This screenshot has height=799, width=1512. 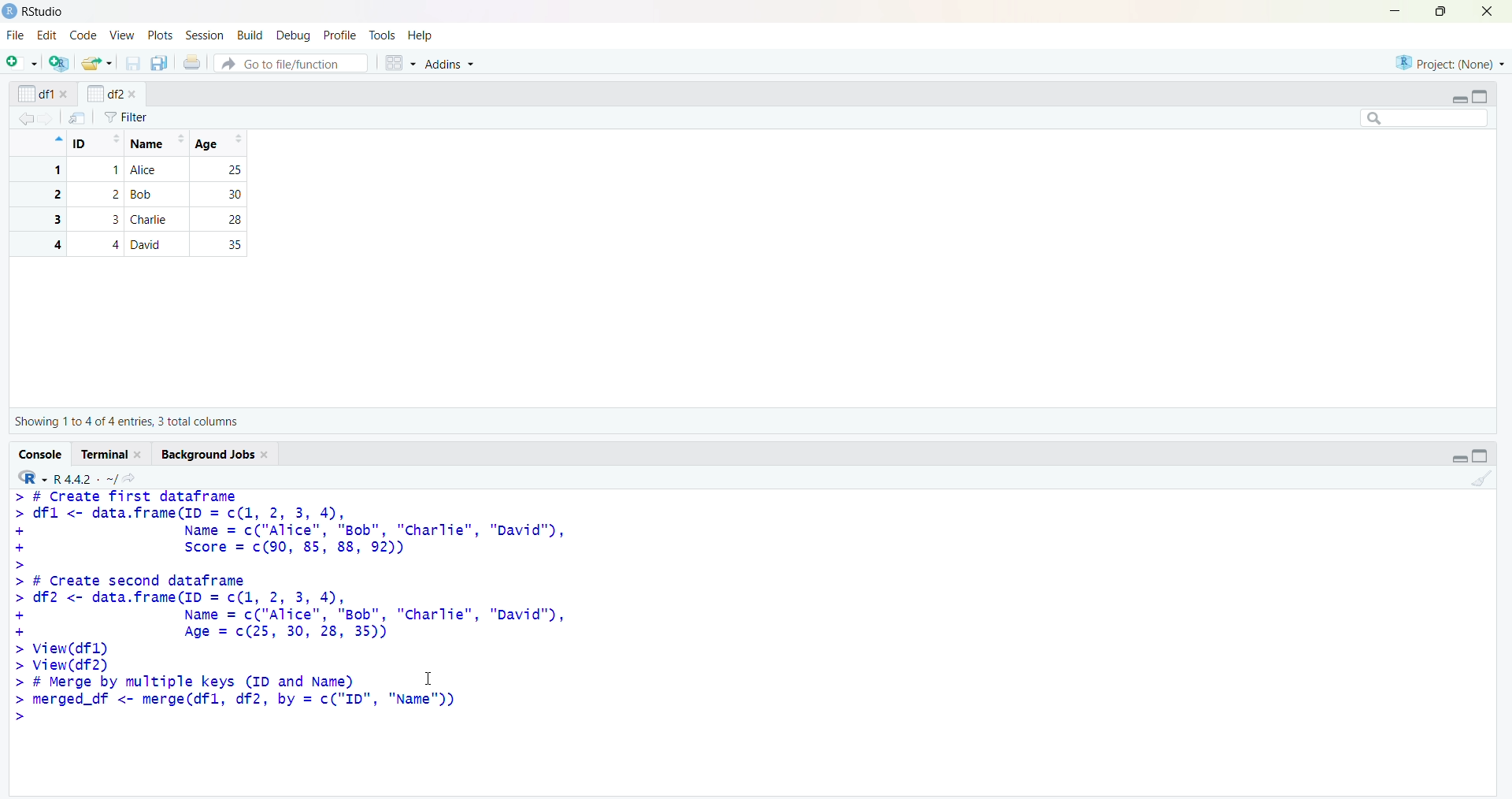 I want to click on save, so click(x=134, y=63).